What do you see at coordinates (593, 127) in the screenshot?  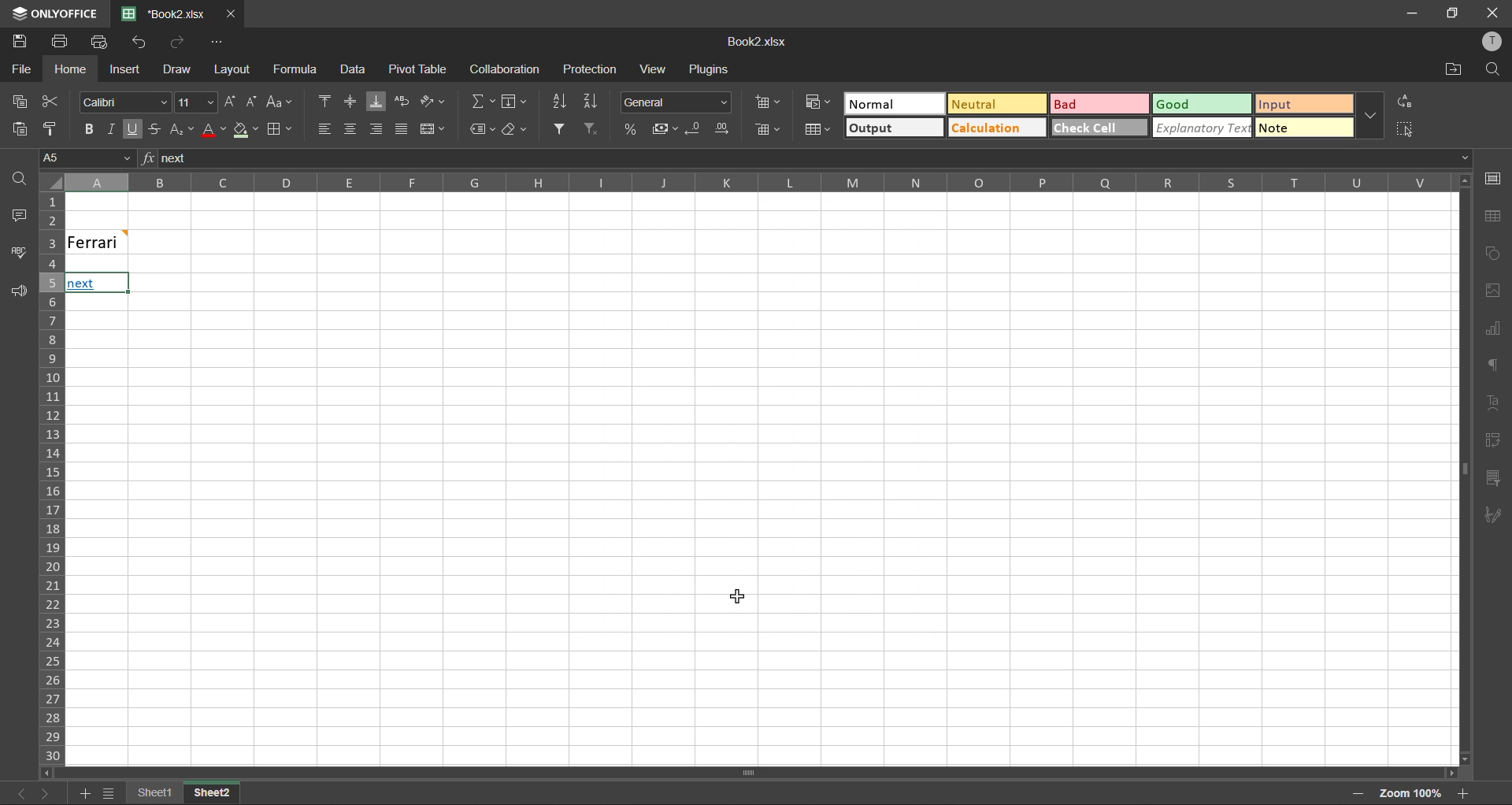 I see `clear filter` at bounding box center [593, 127].